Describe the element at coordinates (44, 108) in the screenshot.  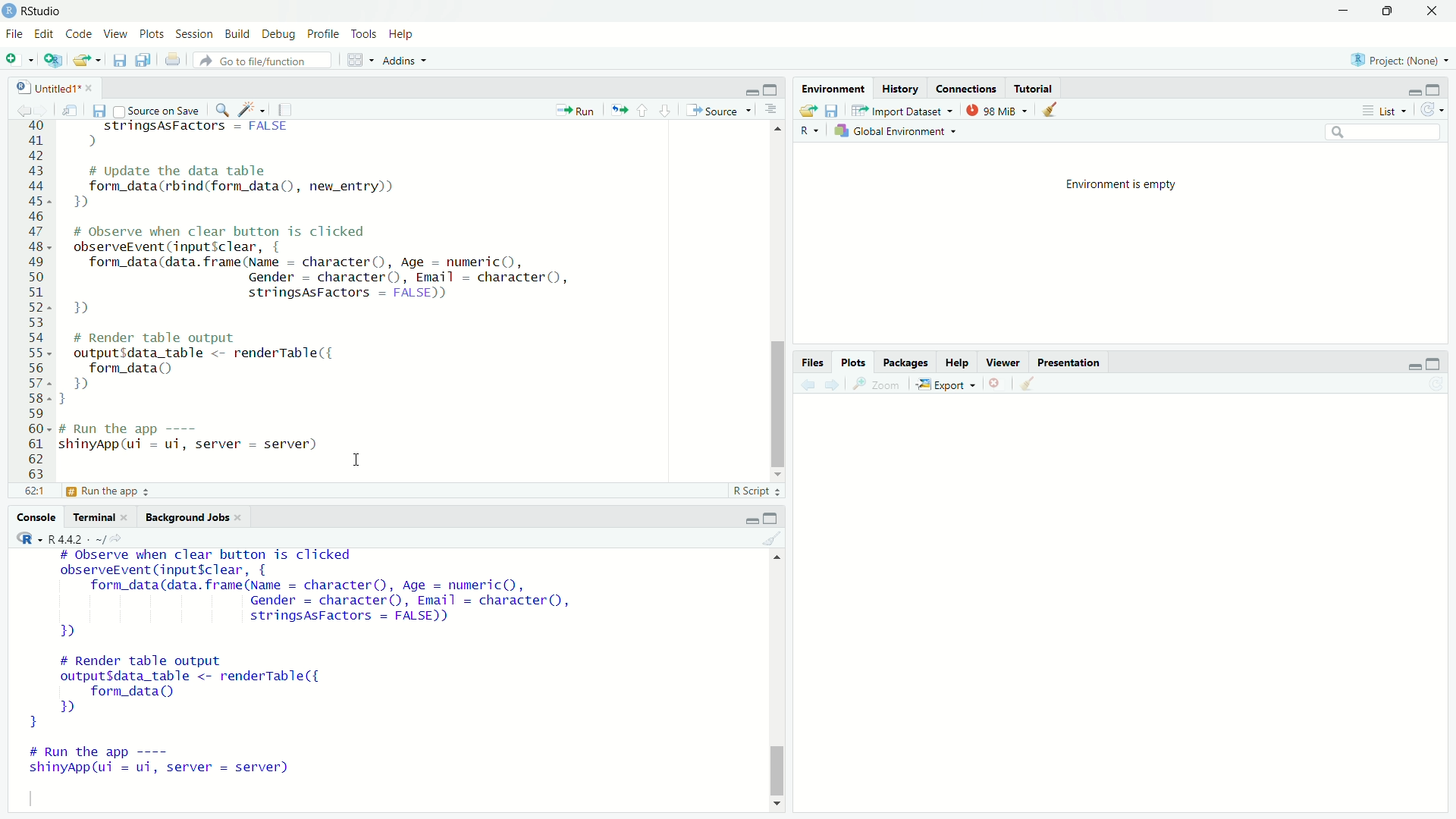
I see `go forward to the next source location` at that location.